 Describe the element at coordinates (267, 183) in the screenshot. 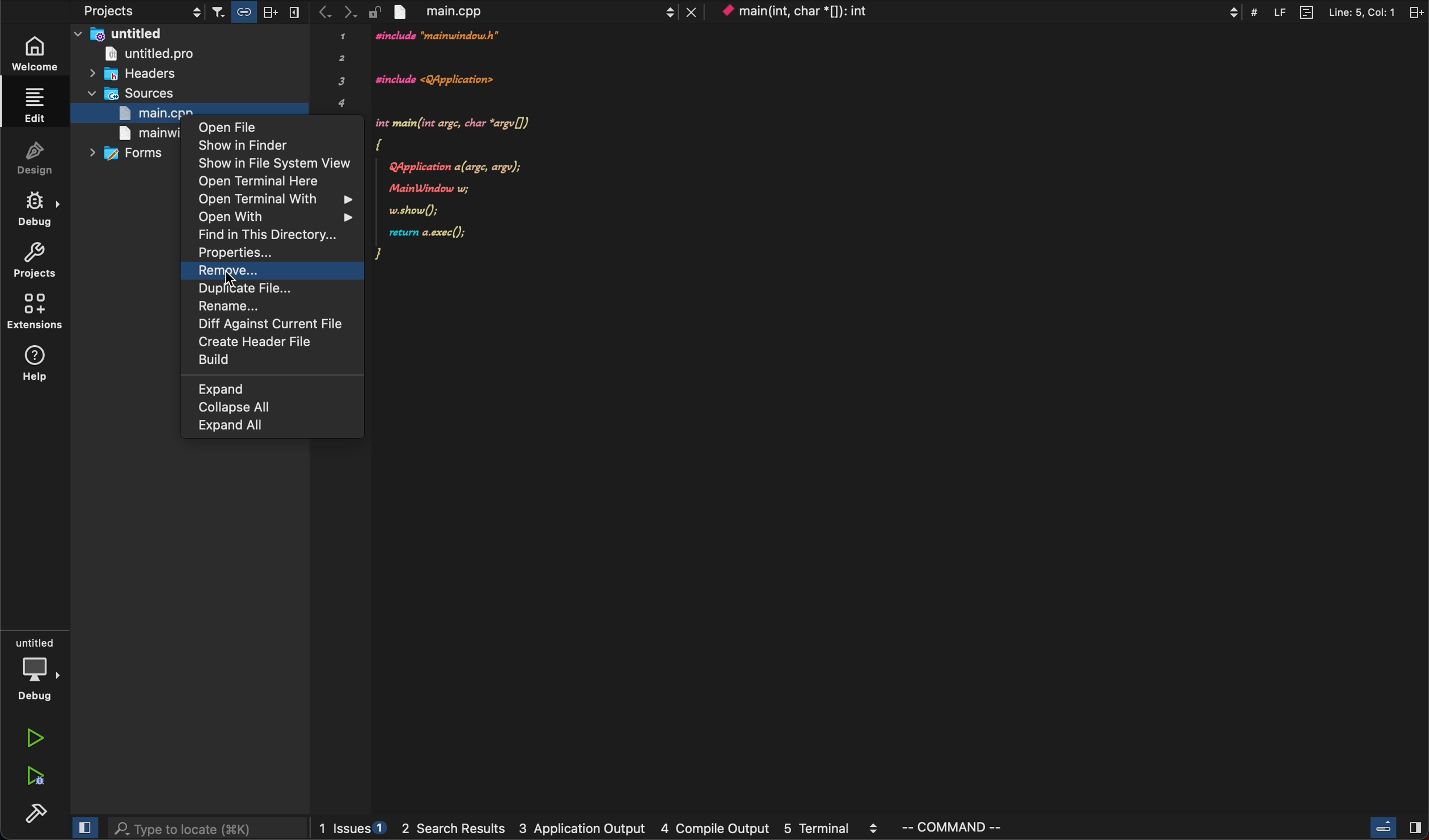

I see `open terminal` at that location.